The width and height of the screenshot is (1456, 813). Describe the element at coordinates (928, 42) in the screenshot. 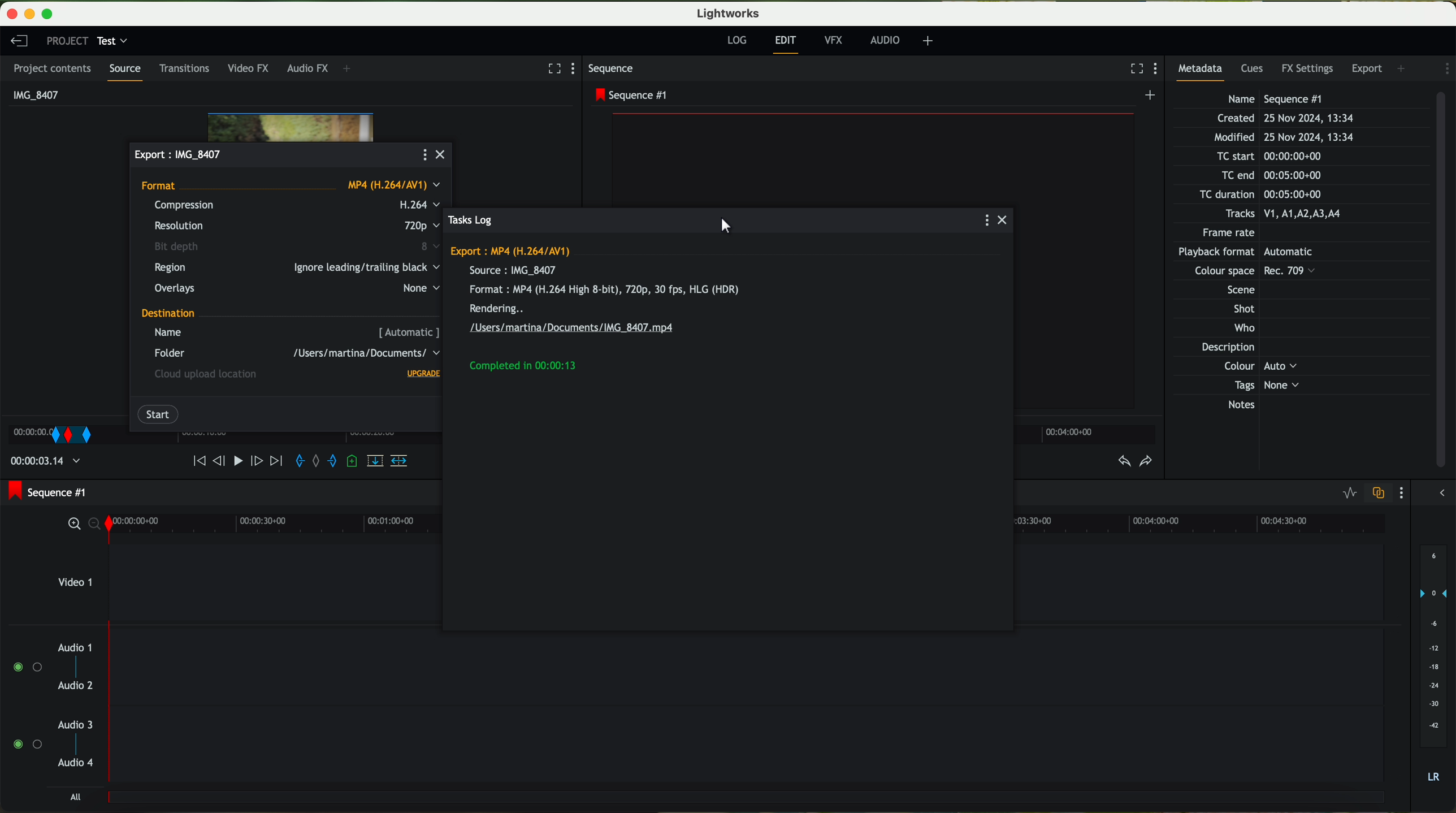

I see `+` at that location.